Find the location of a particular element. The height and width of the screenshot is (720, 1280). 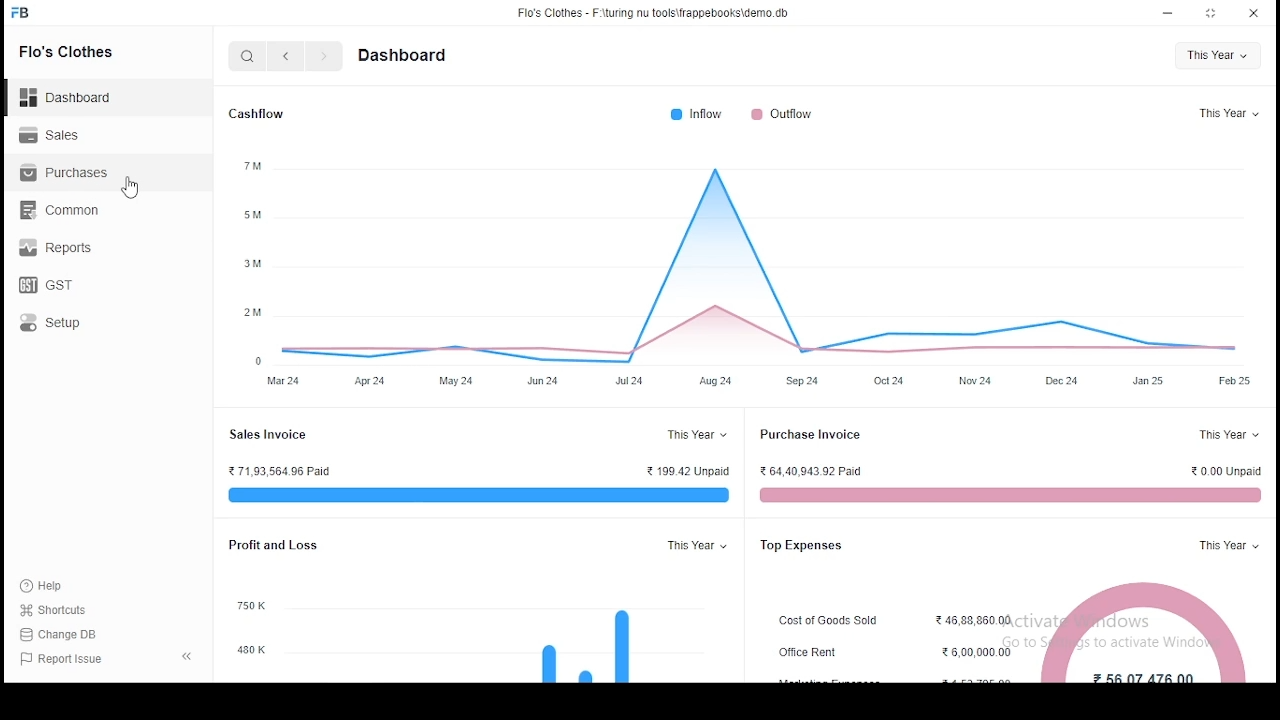

cashflow is located at coordinates (258, 115).